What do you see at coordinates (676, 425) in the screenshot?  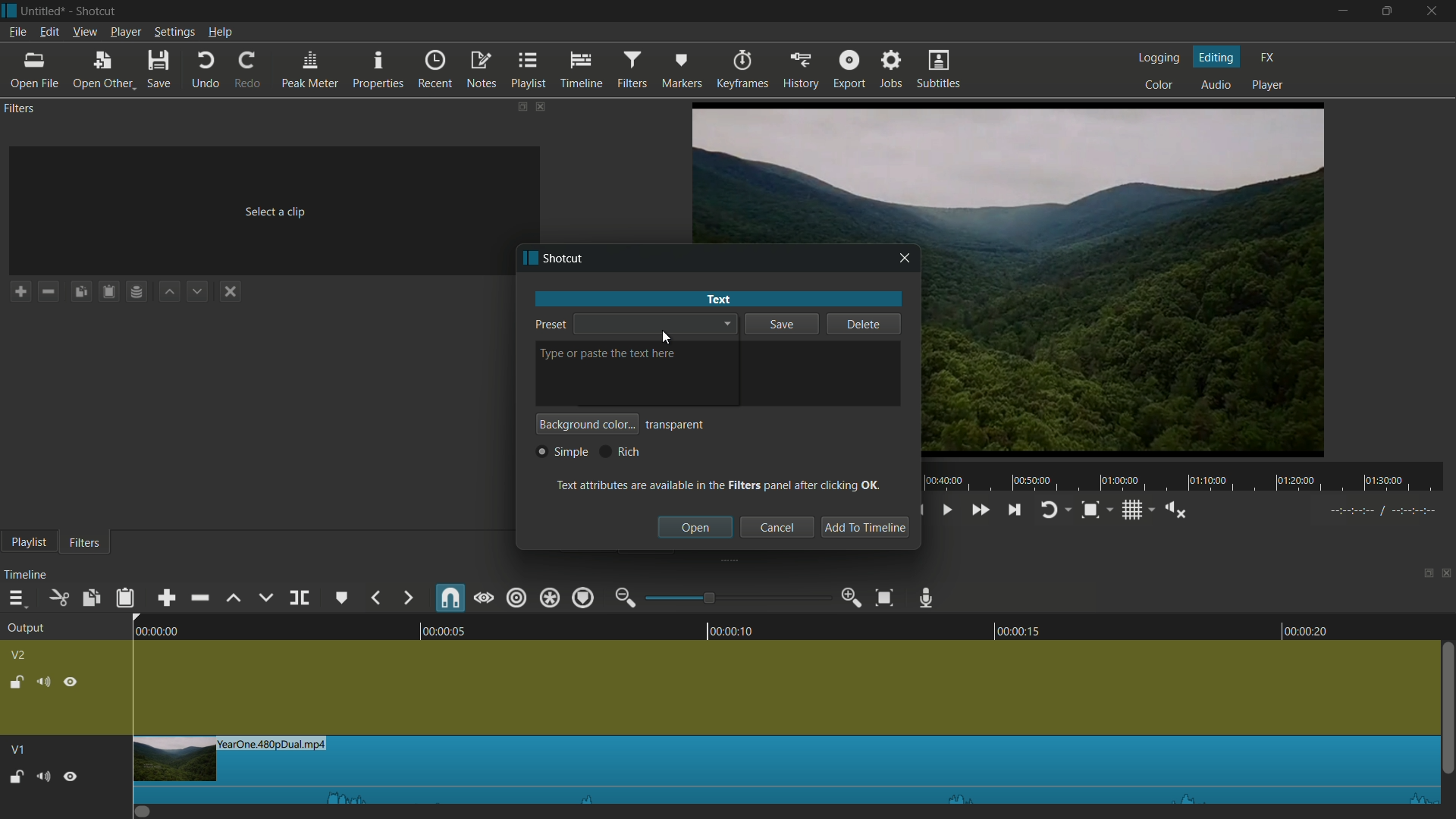 I see `transparent` at bounding box center [676, 425].